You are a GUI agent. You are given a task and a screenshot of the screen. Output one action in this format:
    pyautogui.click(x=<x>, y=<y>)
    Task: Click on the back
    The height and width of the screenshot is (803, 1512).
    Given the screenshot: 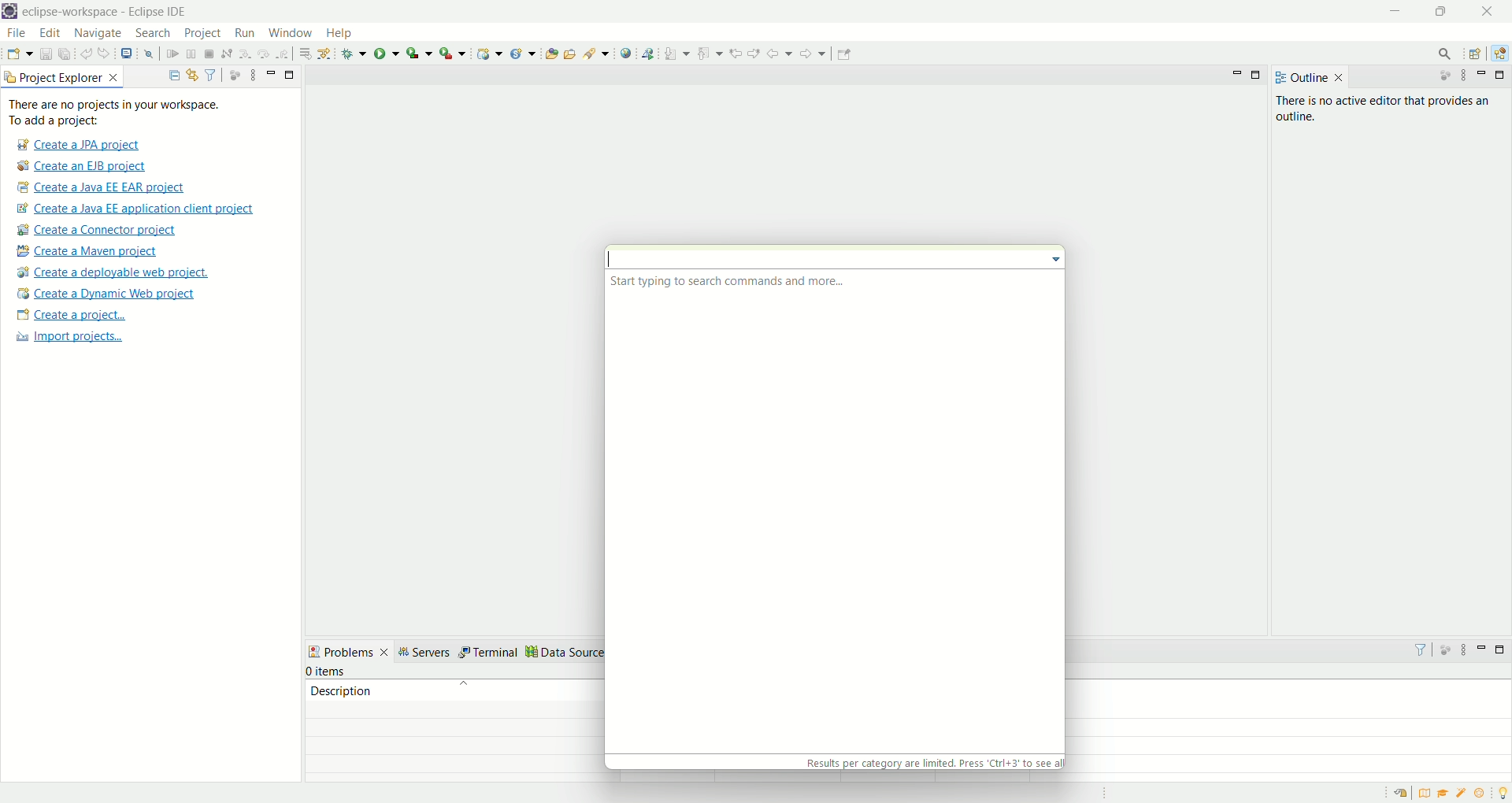 What is the action you would take?
    pyautogui.click(x=779, y=54)
    